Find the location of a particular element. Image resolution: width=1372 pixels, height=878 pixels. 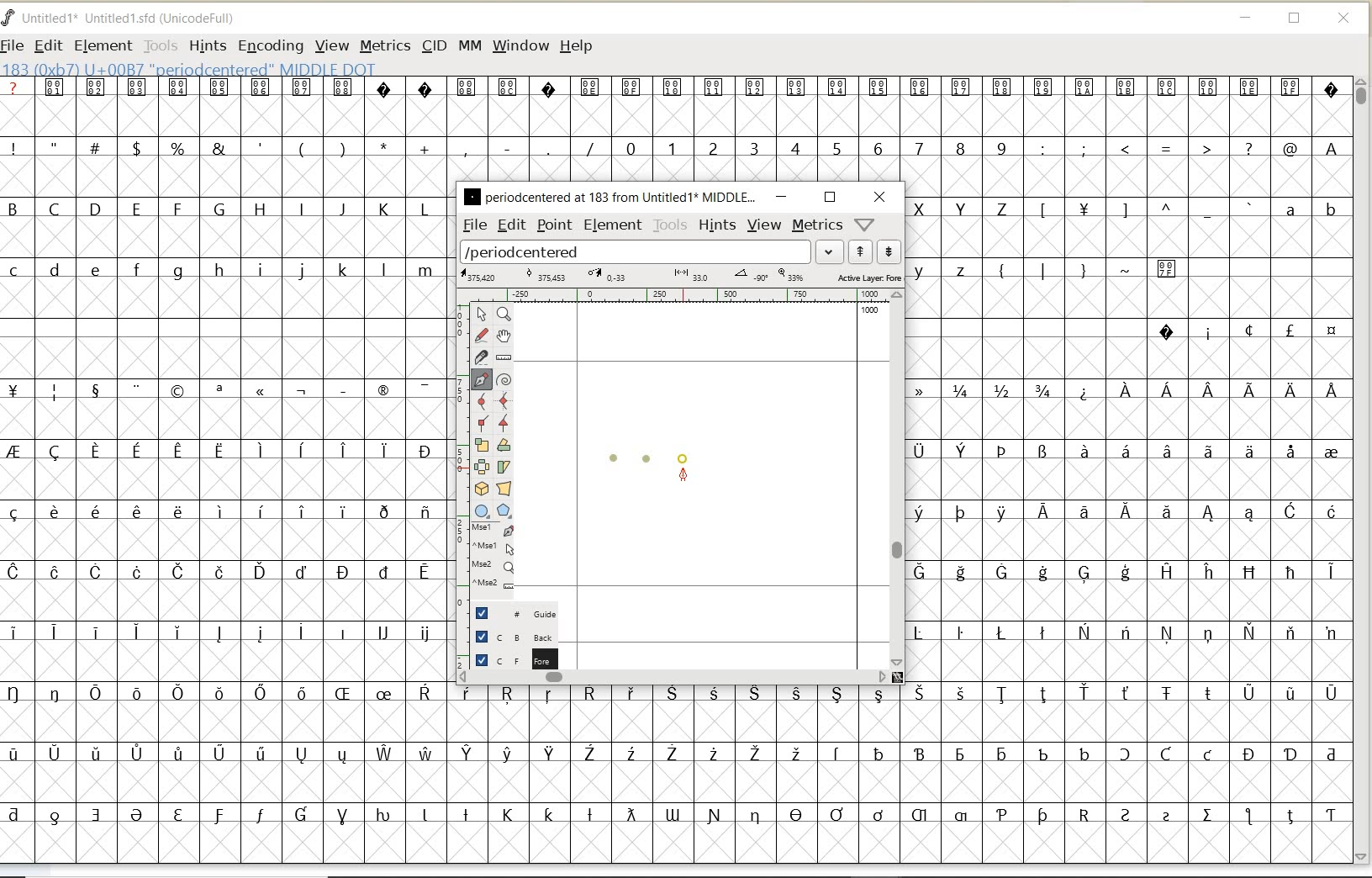

rotate the selection in 3D and project back to plane is located at coordinates (481, 488).